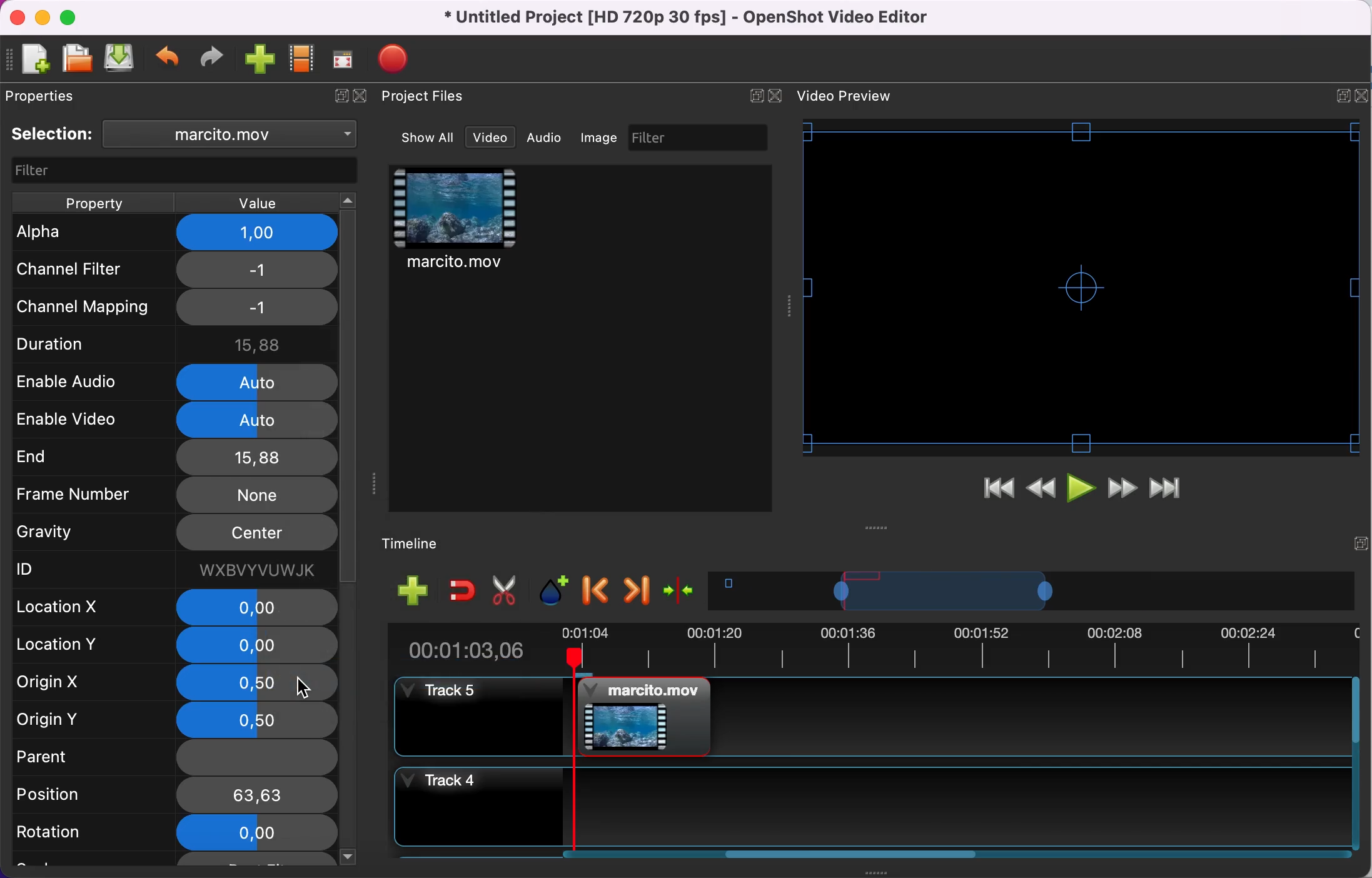 The image size is (1372, 878). Describe the element at coordinates (178, 233) in the screenshot. I see `alpha 1` at that location.